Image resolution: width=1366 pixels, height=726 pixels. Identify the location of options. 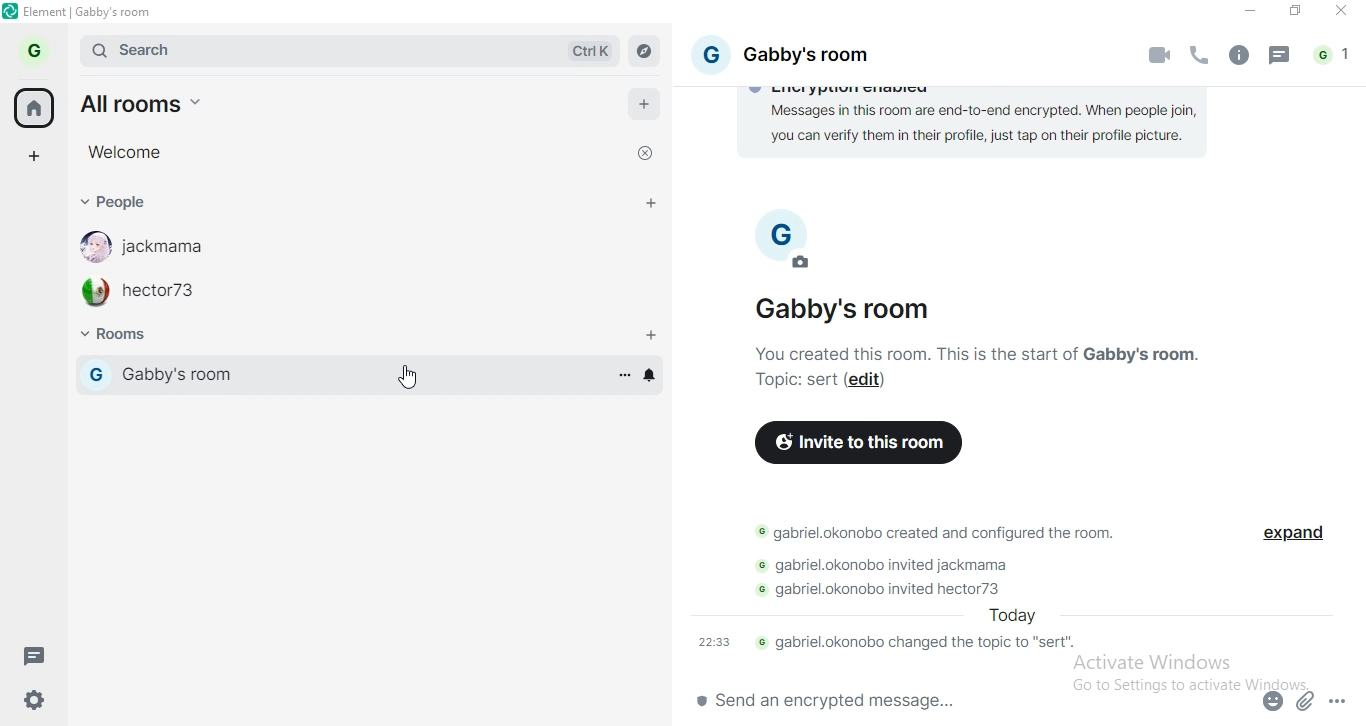
(623, 374).